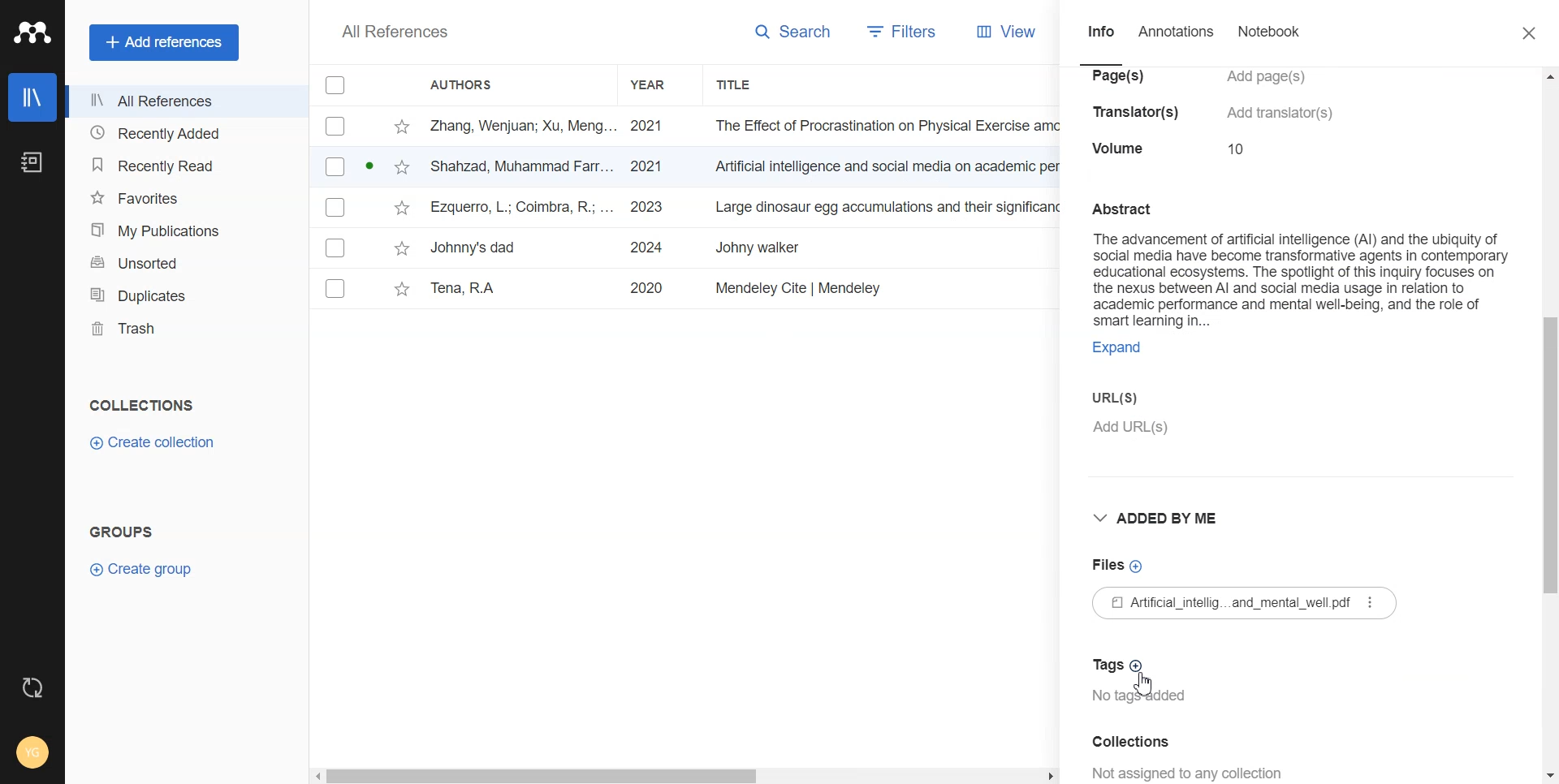 The width and height of the screenshot is (1559, 784). I want to click on Create Group, so click(149, 569).